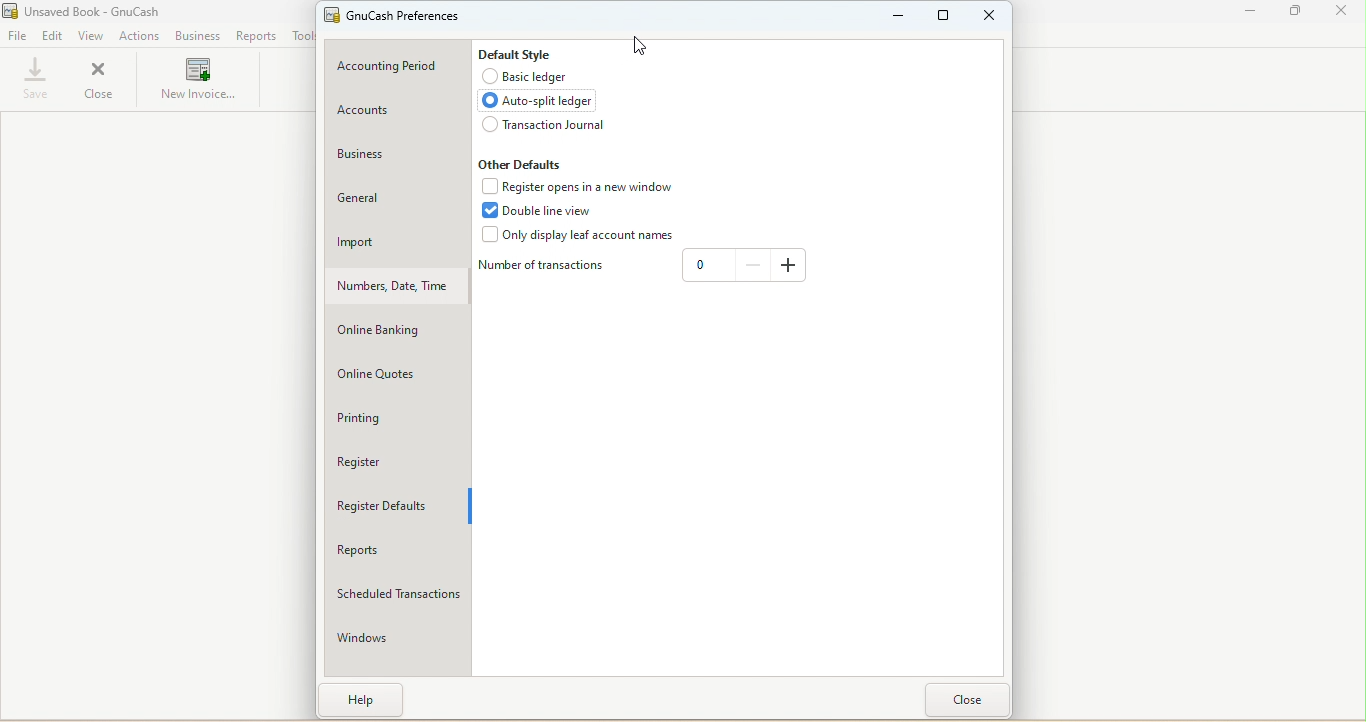 This screenshot has height=722, width=1366. What do you see at coordinates (989, 17) in the screenshot?
I see `Close` at bounding box center [989, 17].